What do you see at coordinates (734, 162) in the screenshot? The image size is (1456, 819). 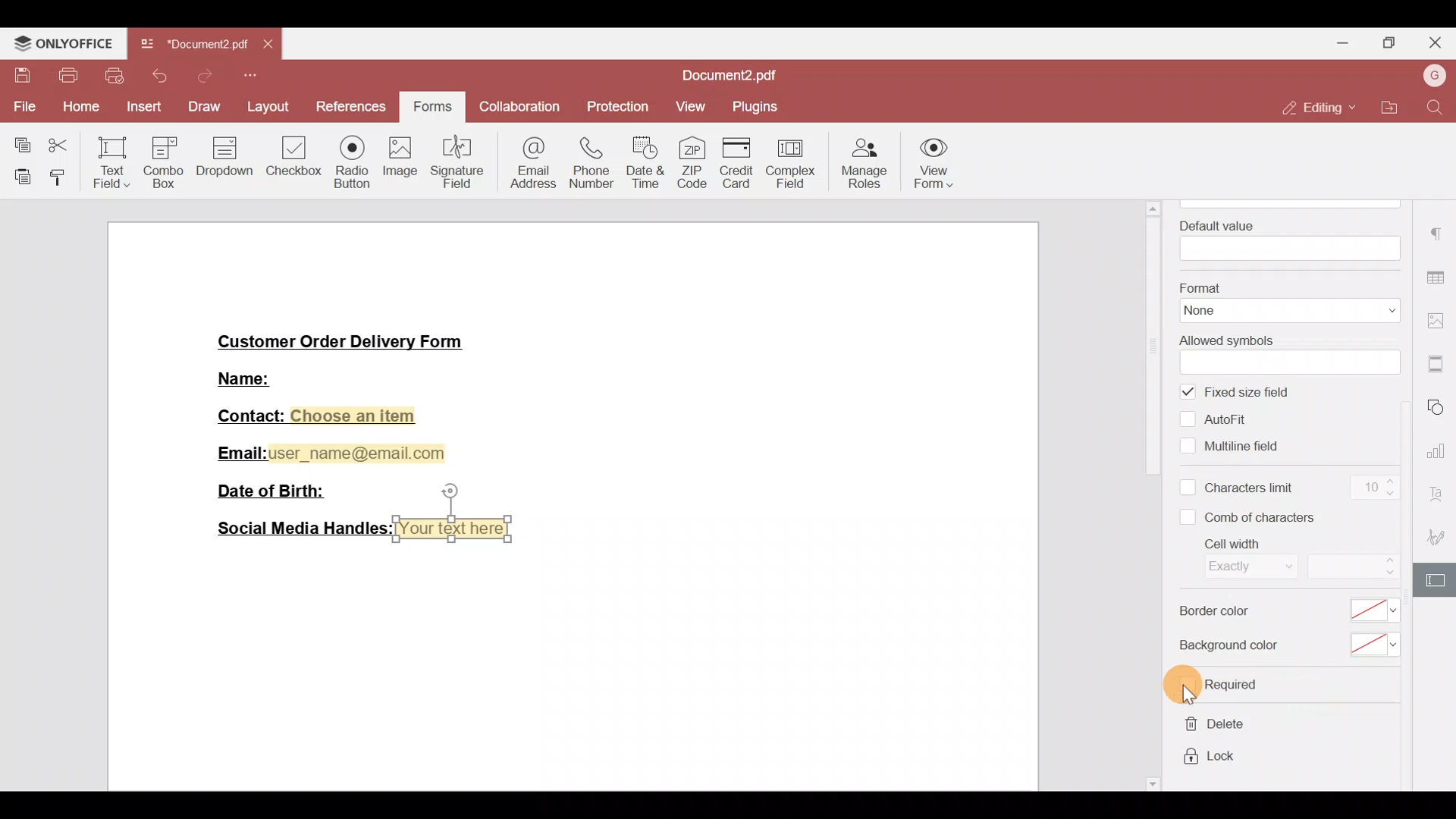 I see `Credit card` at bounding box center [734, 162].